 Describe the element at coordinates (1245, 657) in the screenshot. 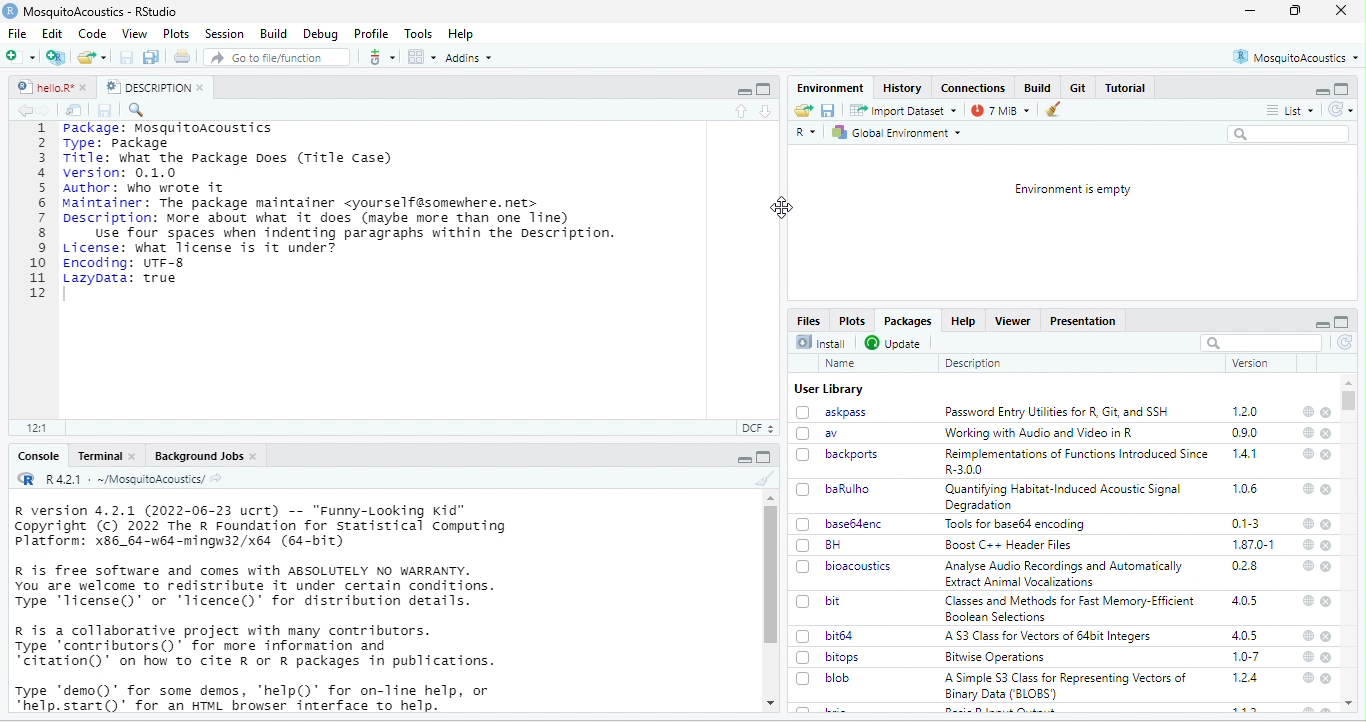

I see `1.0-7` at that location.